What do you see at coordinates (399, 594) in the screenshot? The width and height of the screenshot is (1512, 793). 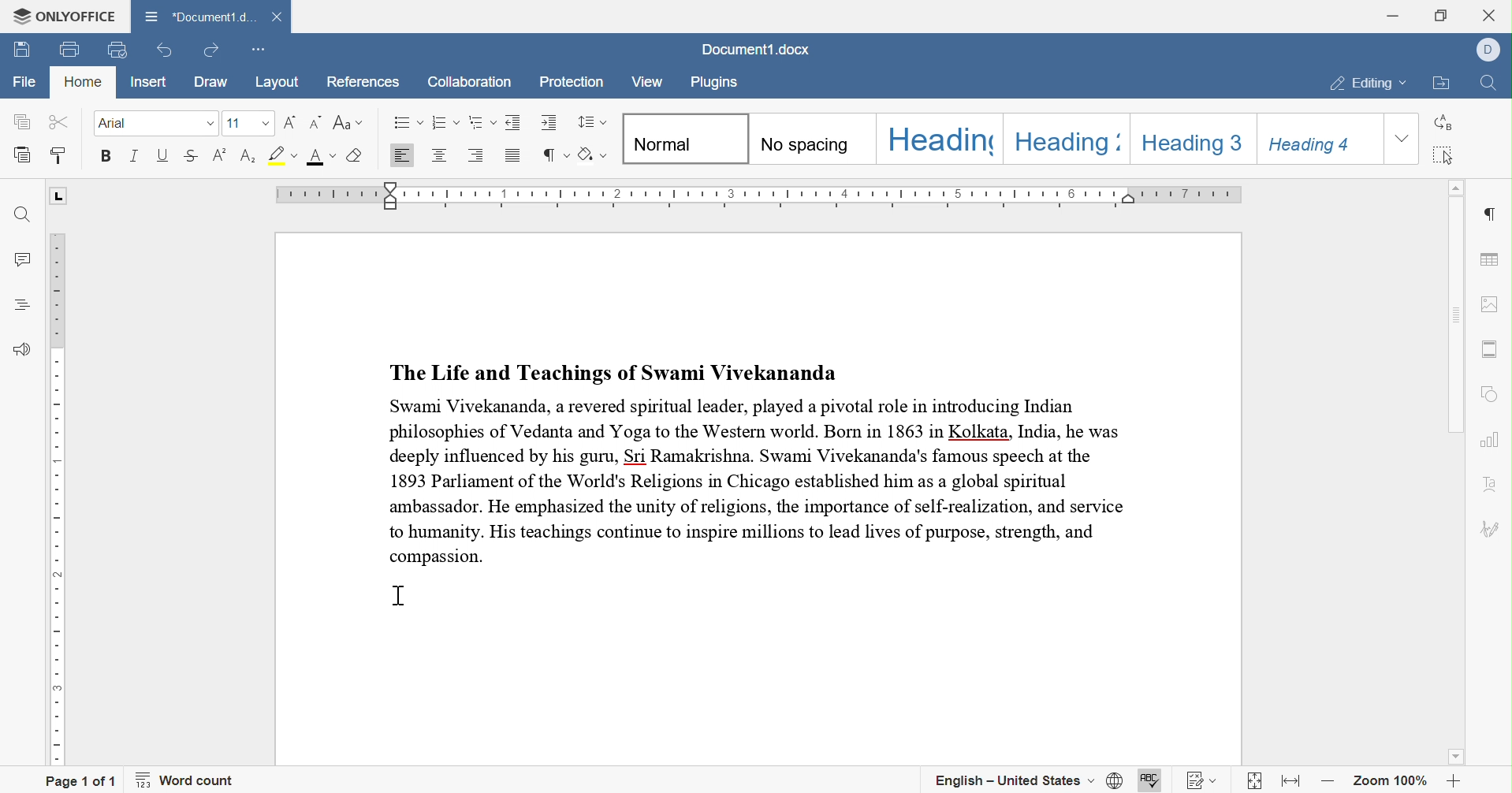 I see `cursor` at bounding box center [399, 594].